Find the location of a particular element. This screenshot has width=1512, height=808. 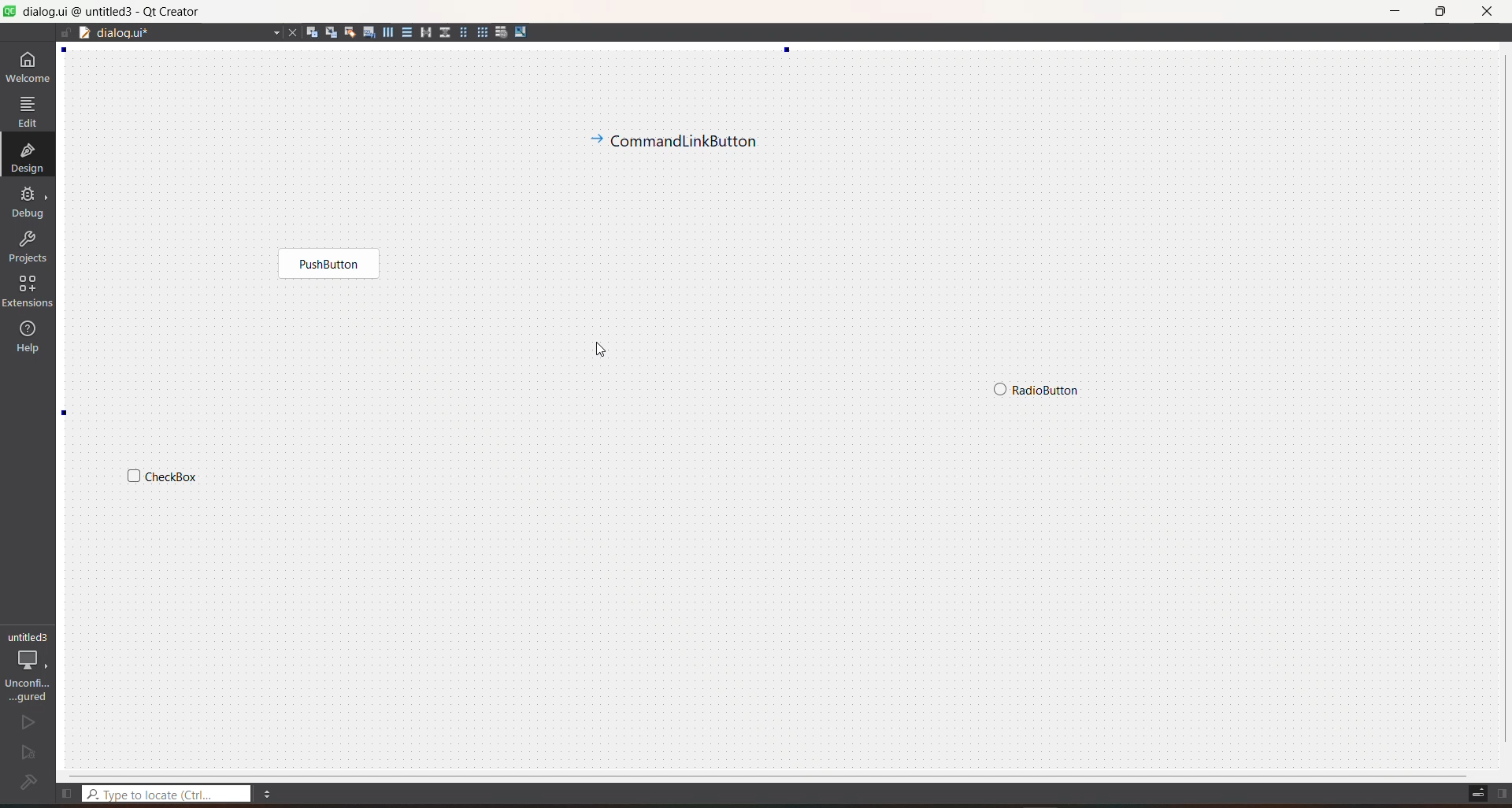

design is located at coordinates (27, 157).